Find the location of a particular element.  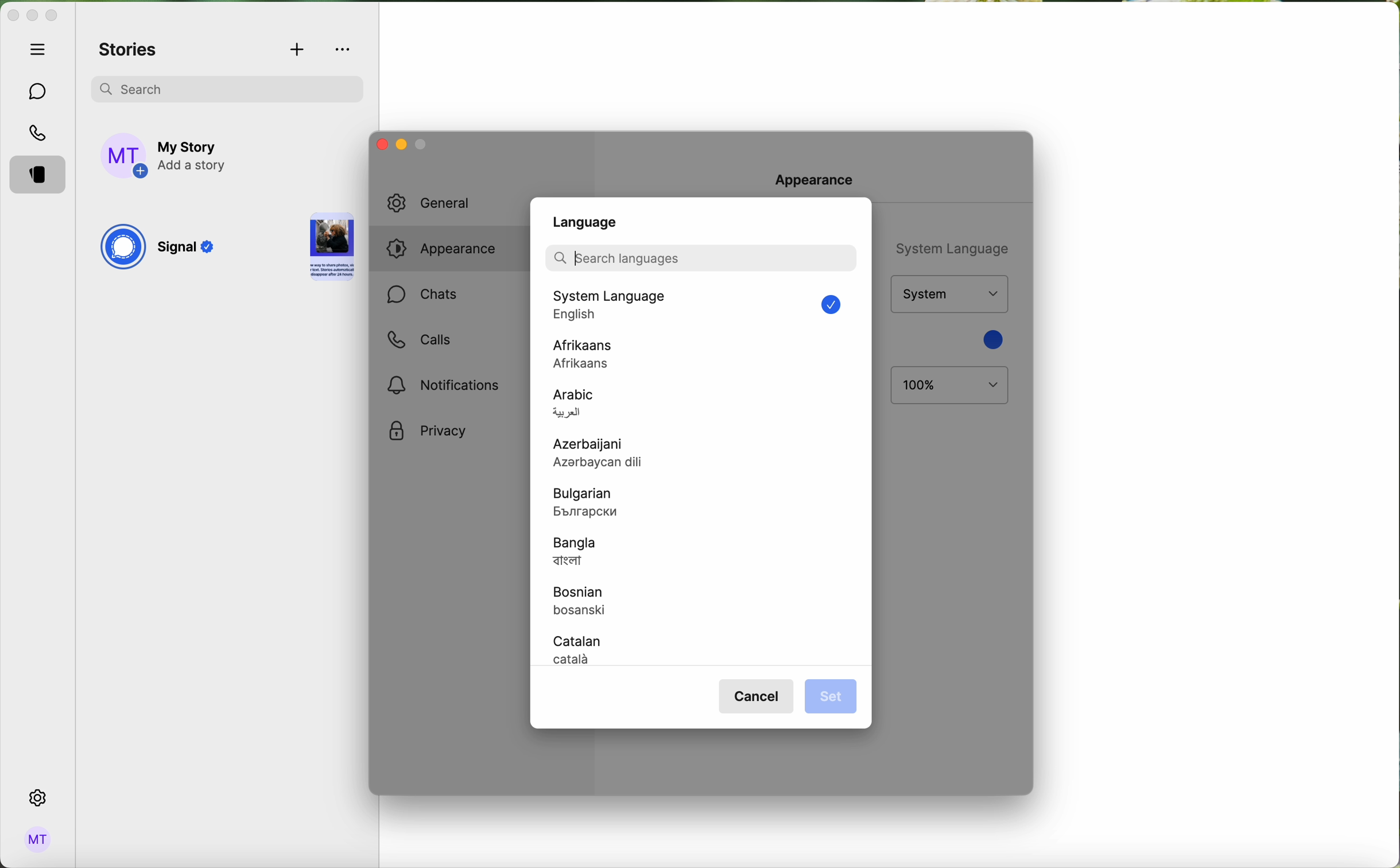

add story is located at coordinates (194, 157).